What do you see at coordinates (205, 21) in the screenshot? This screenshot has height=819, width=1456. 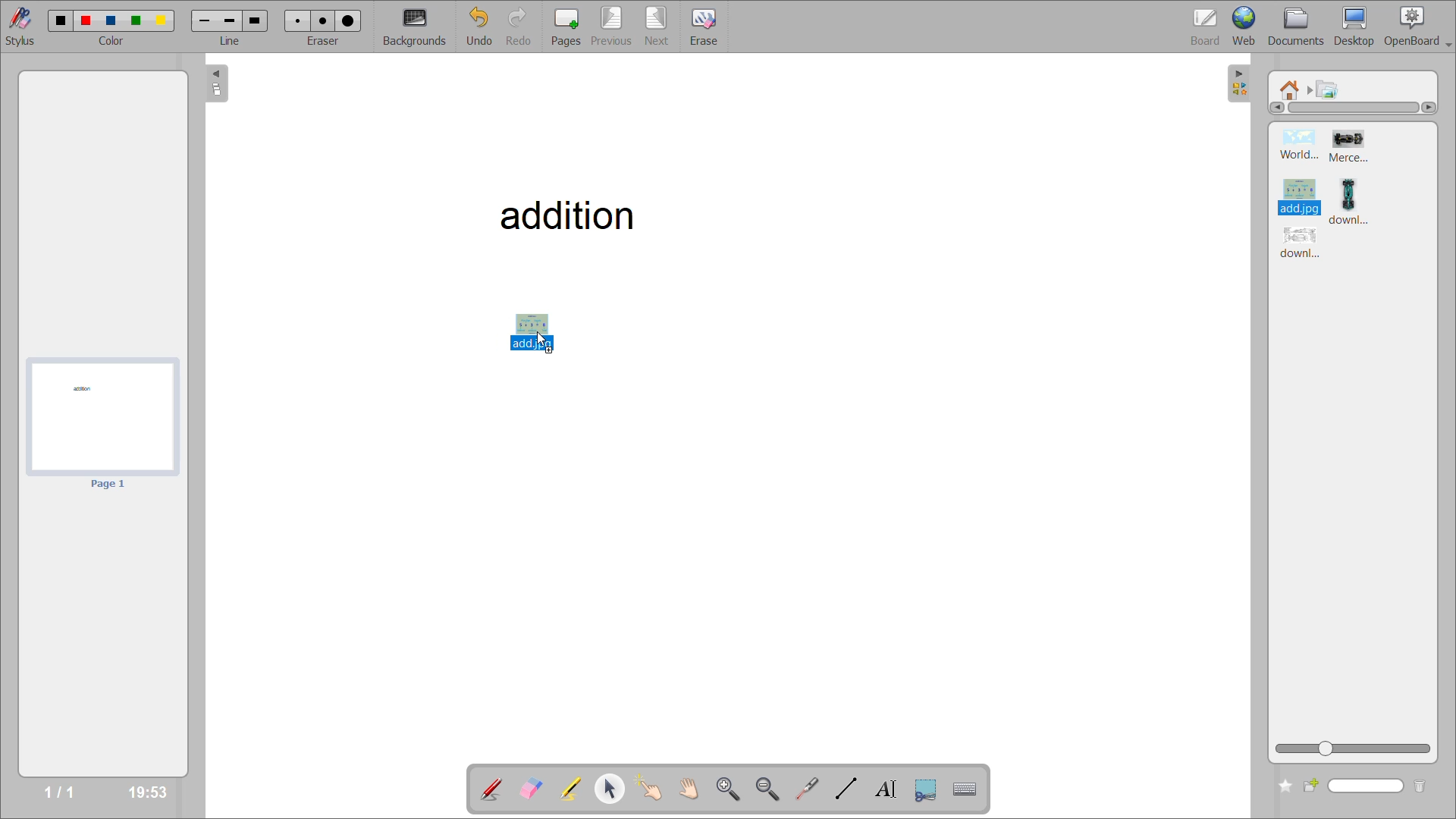 I see `line 1` at bounding box center [205, 21].